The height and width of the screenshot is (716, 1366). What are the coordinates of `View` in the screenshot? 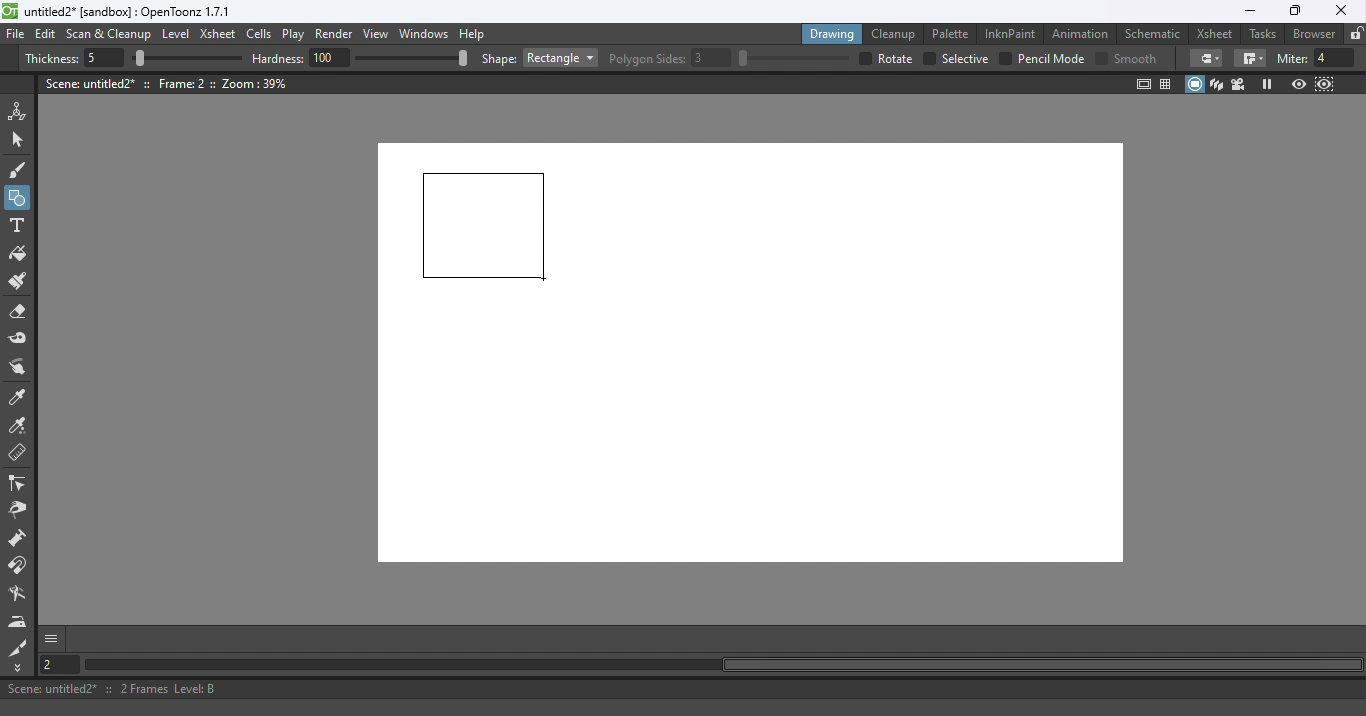 It's located at (379, 36).